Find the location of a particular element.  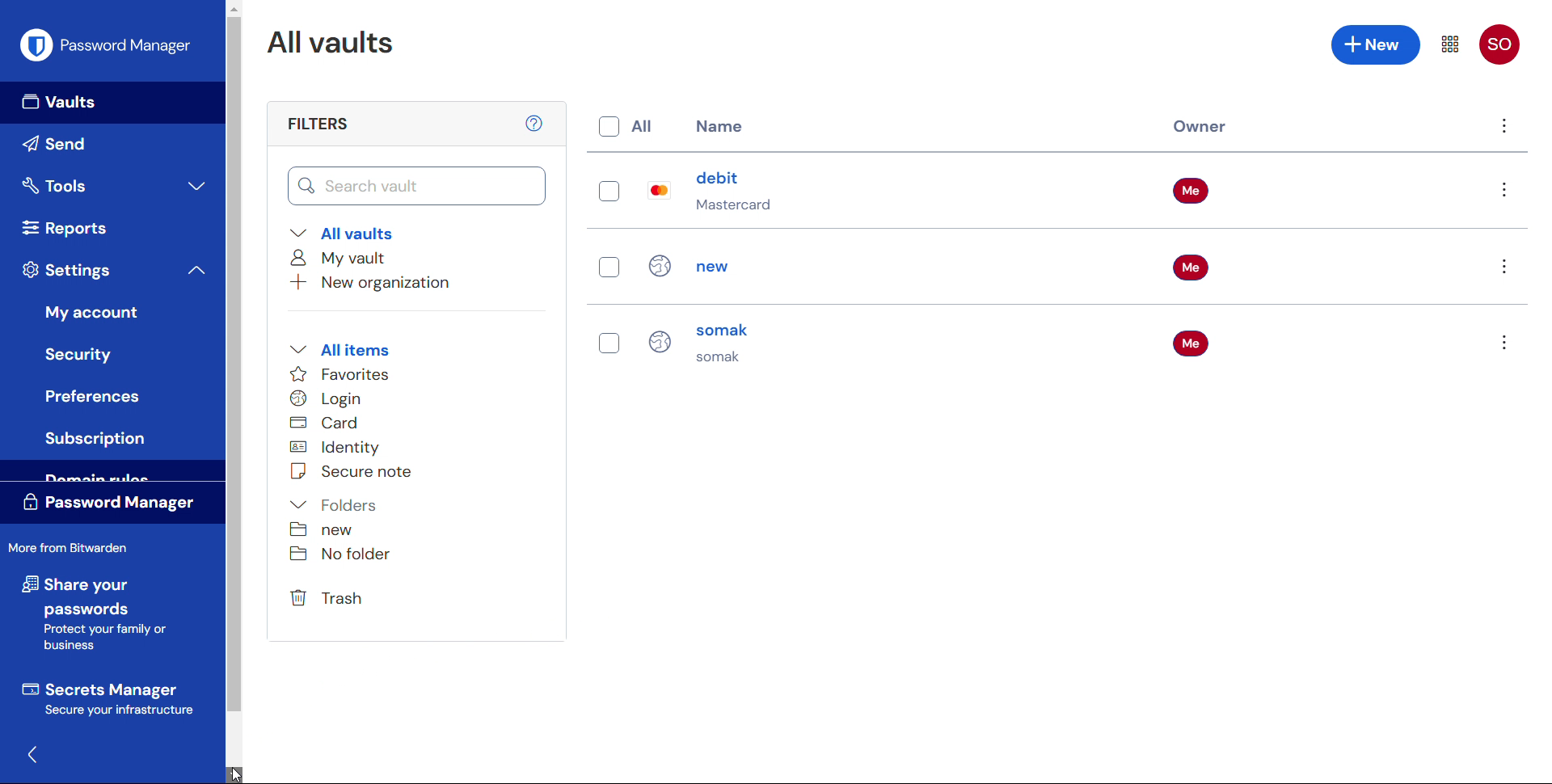

Options for entry "debit" is located at coordinates (1503, 190).